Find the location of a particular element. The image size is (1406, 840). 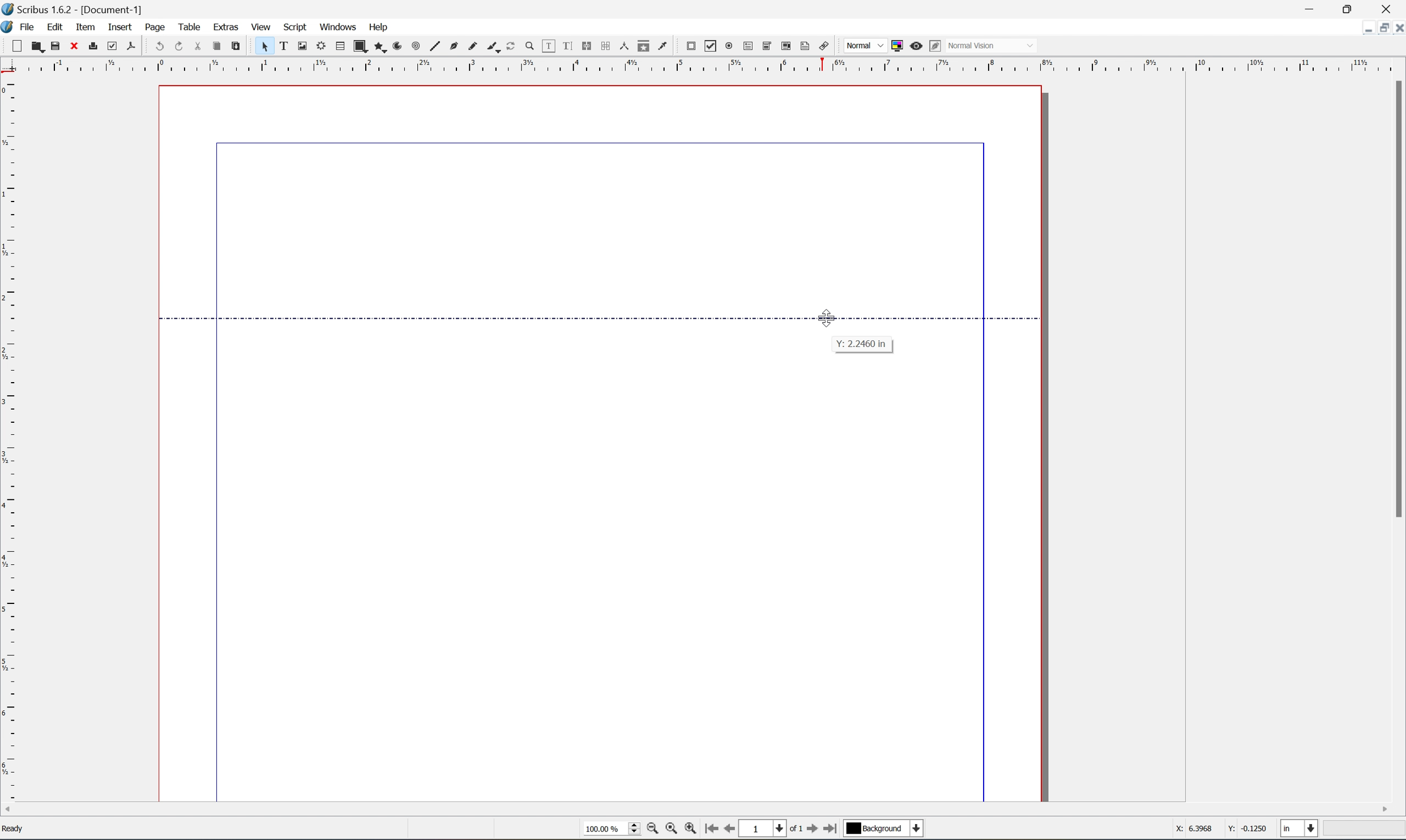

copy is located at coordinates (218, 46).